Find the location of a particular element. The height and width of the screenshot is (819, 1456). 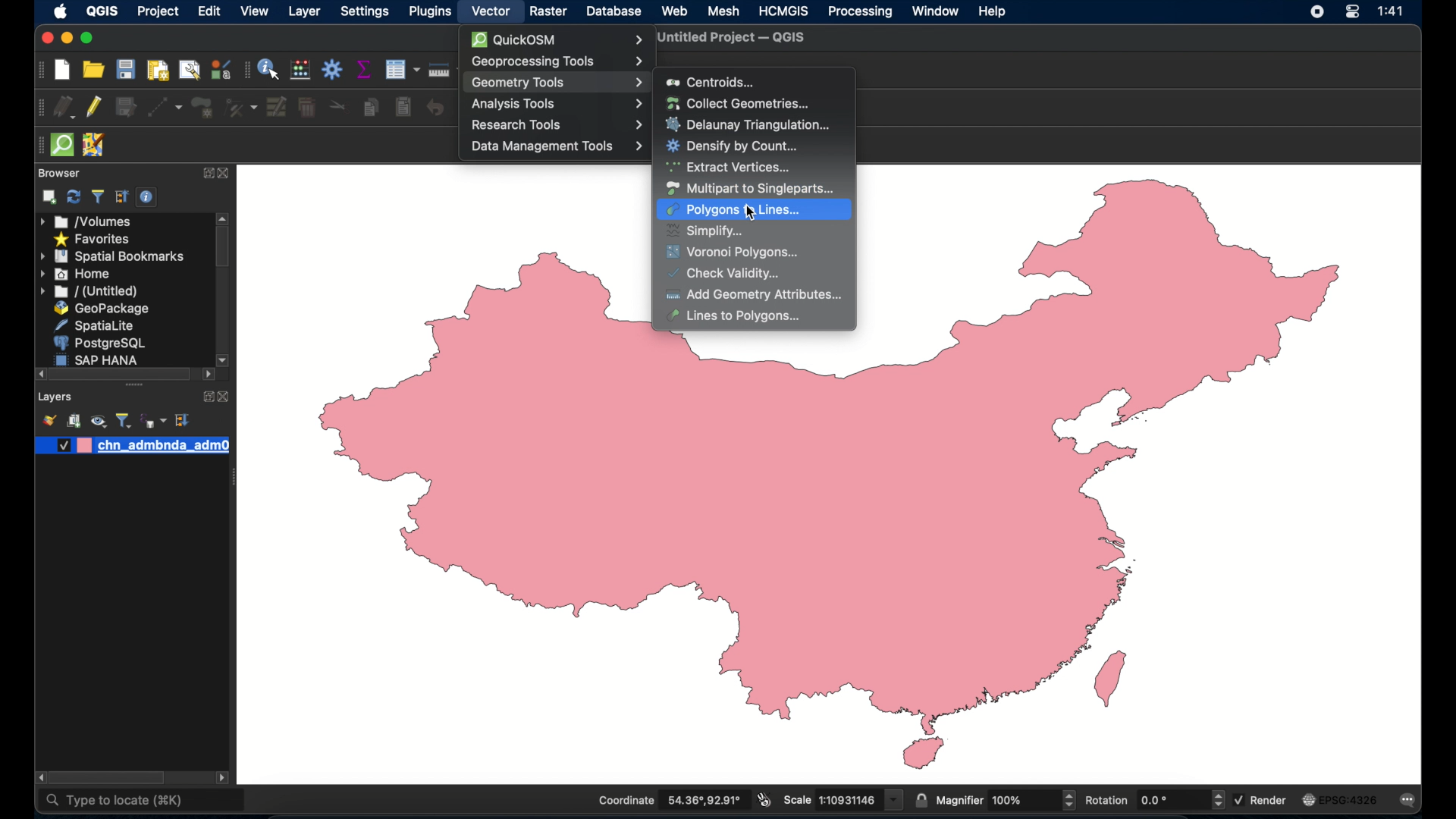

simplify is located at coordinates (706, 231).